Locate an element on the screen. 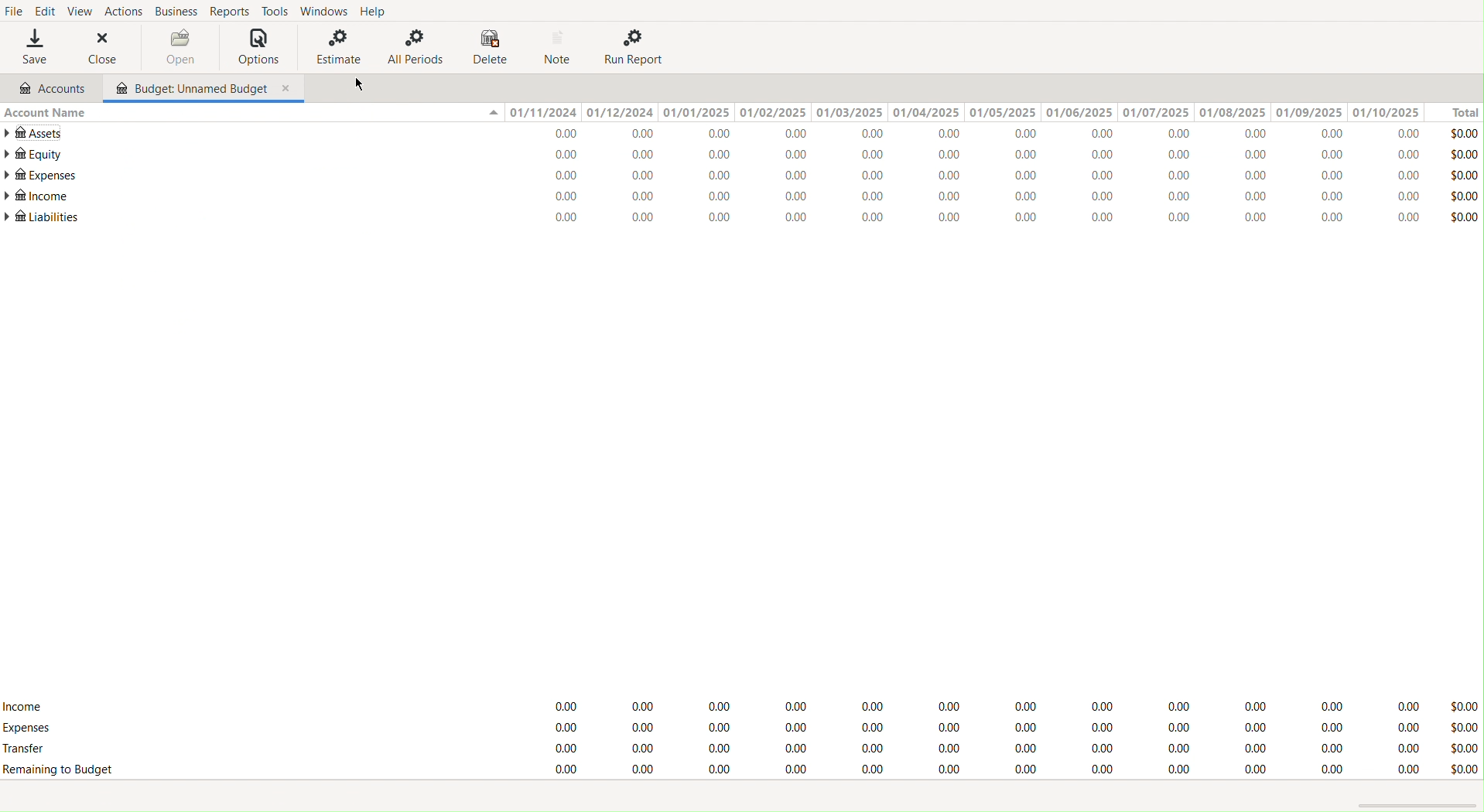  Save is located at coordinates (31, 46).